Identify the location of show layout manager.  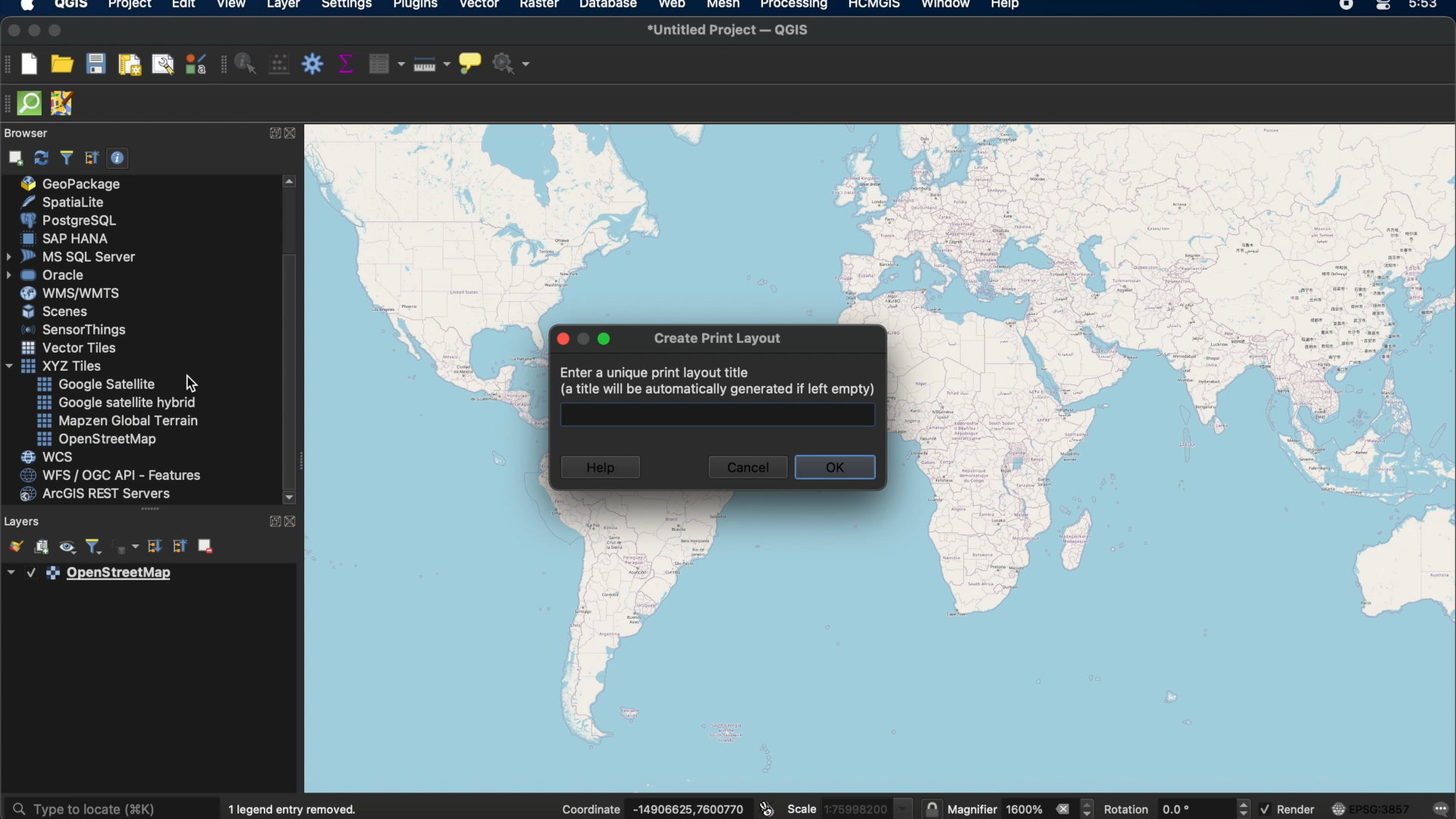
(162, 64).